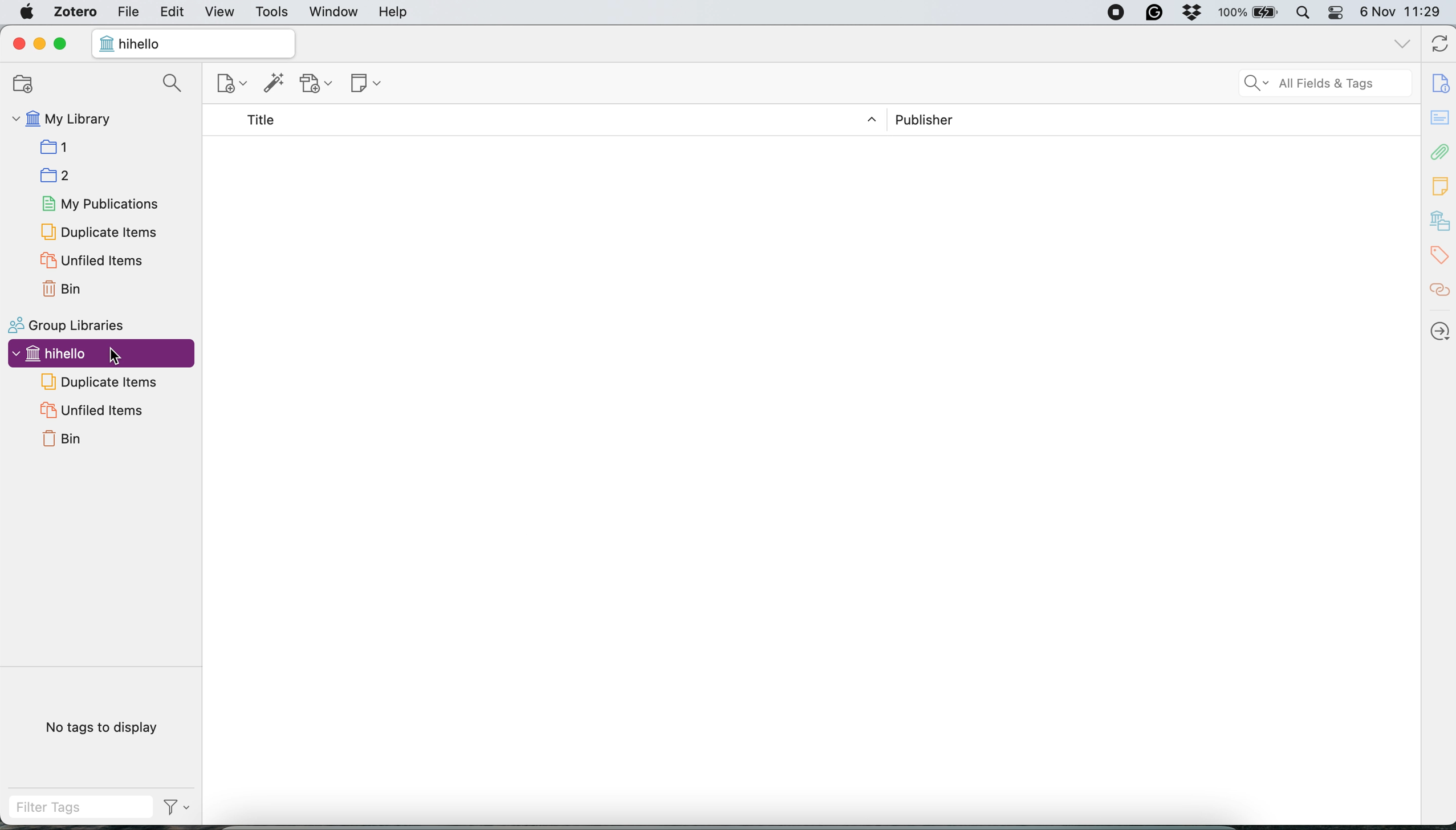 The height and width of the screenshot is (830, 1456). What do you see at coordinates (30, 14) in the screenshot?
I see `system logo` at bounding box center [30, 14].